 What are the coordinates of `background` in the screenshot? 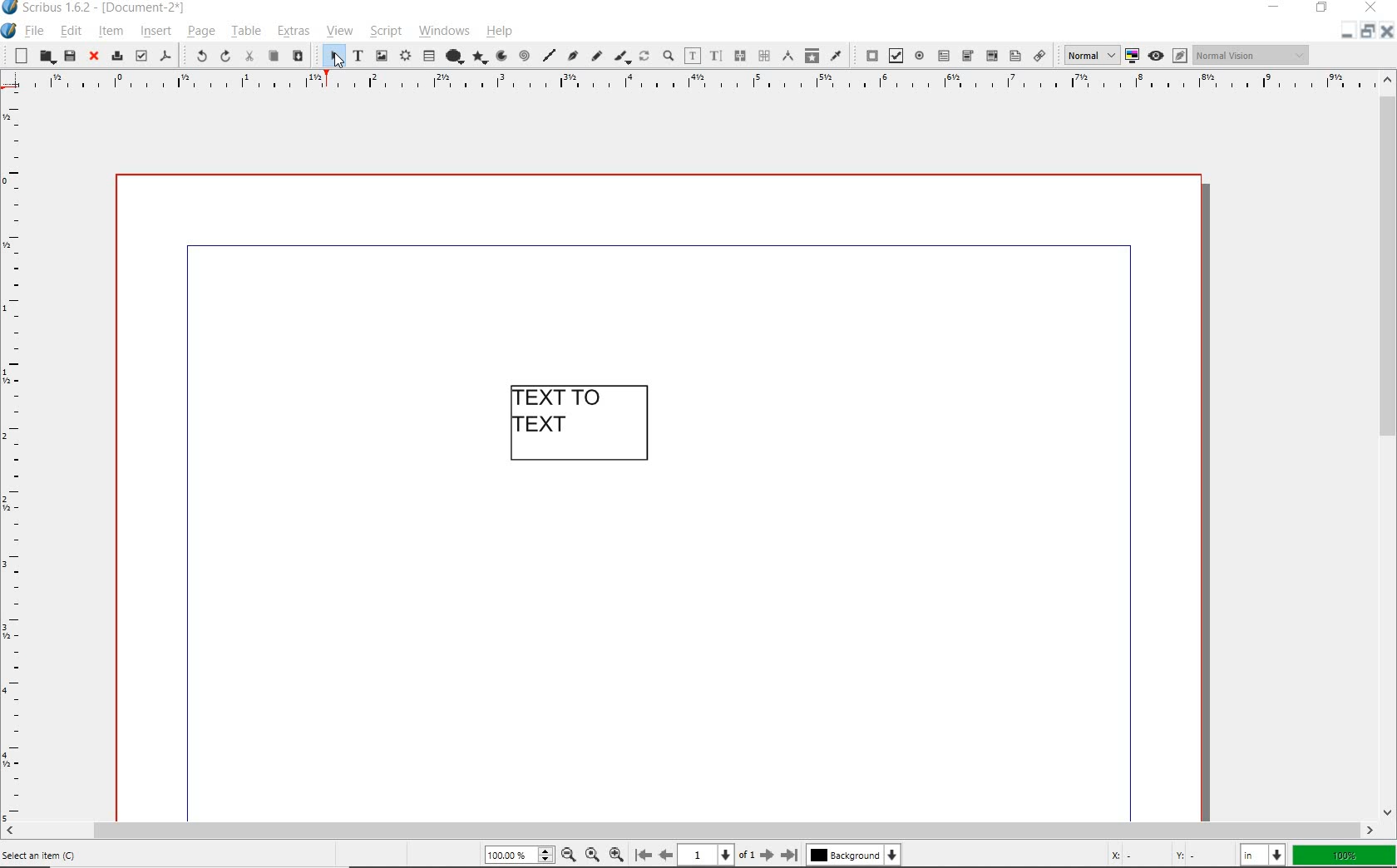 It's located at (861, 855).